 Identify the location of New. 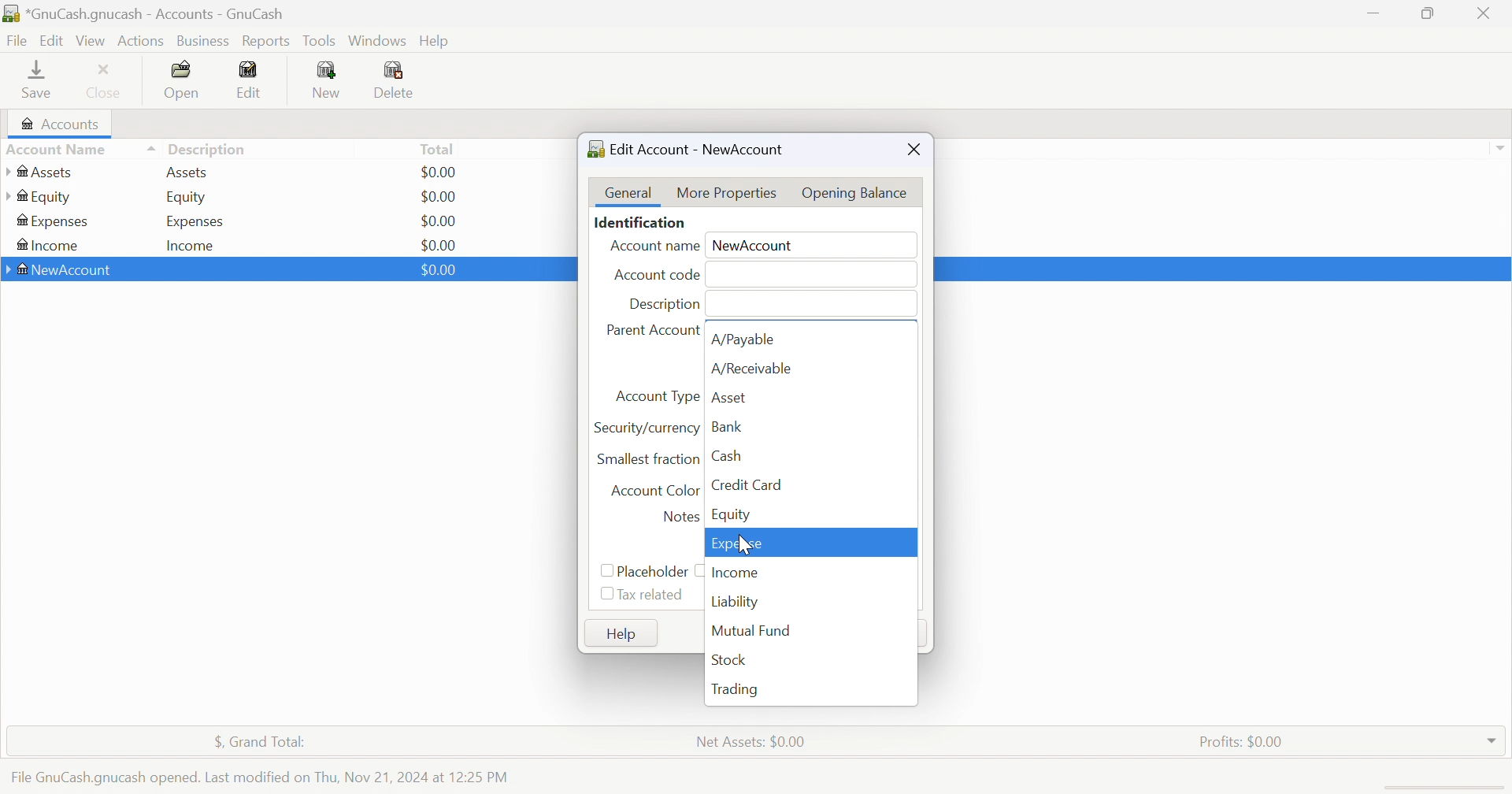
(325, 79).